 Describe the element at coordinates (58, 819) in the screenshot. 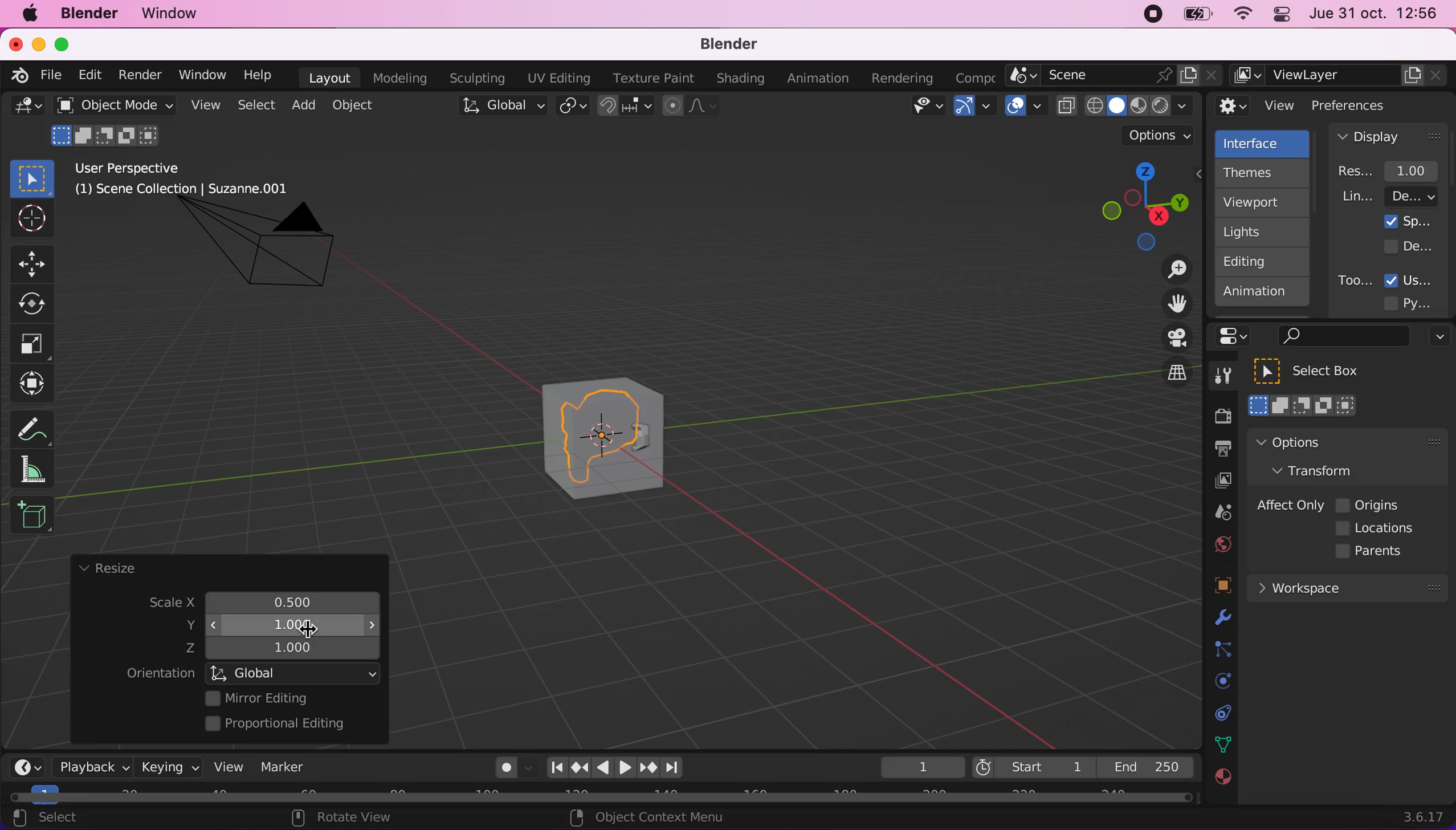

I see `select` at that location.